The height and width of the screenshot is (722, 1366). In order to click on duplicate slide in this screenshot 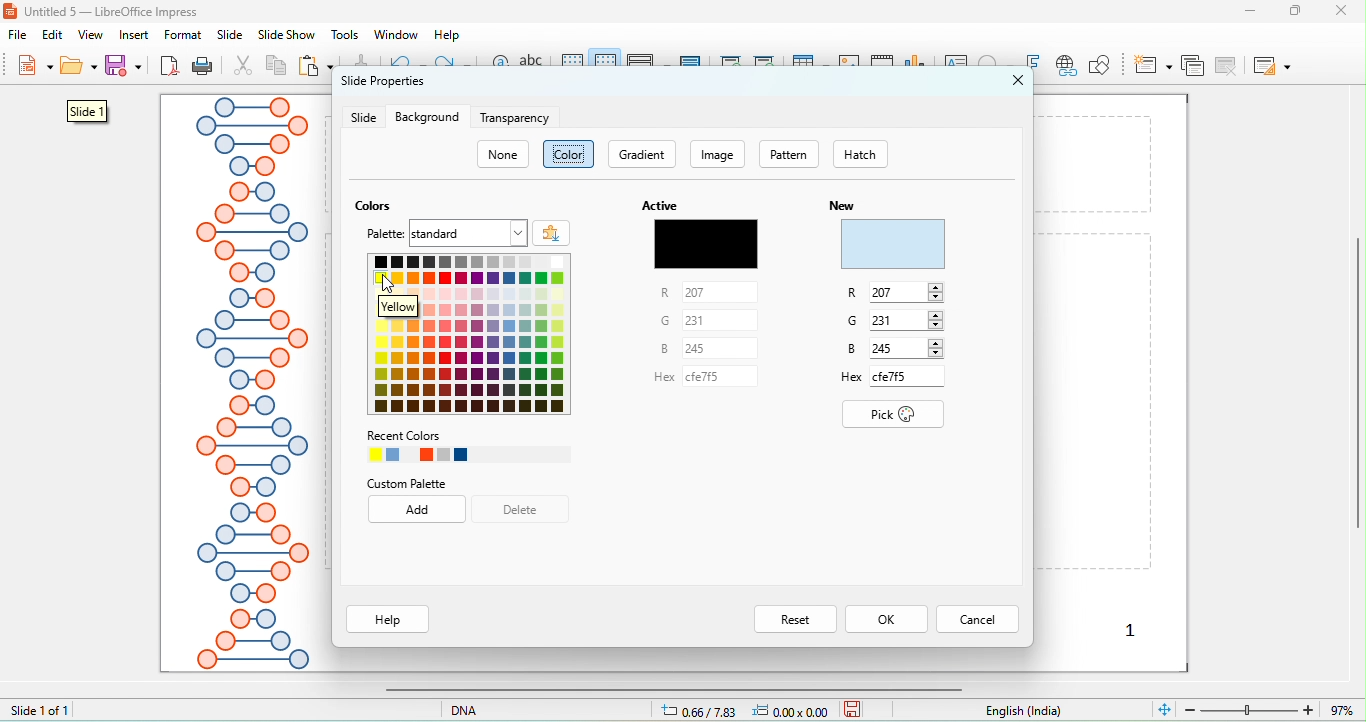, I will do `click(1192, 65)`.